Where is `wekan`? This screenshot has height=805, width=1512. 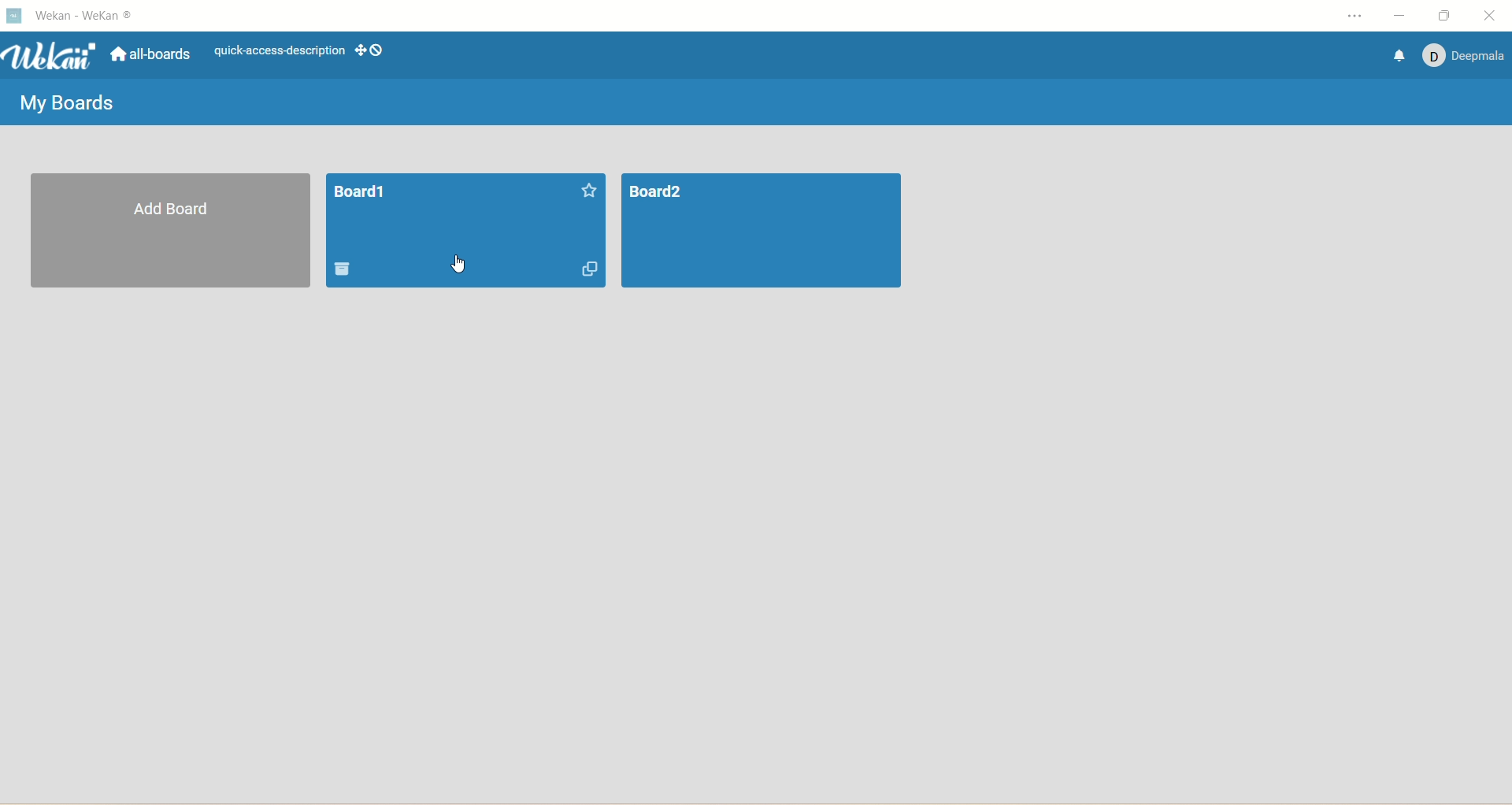
wekan is located at coordinates (53, 58).